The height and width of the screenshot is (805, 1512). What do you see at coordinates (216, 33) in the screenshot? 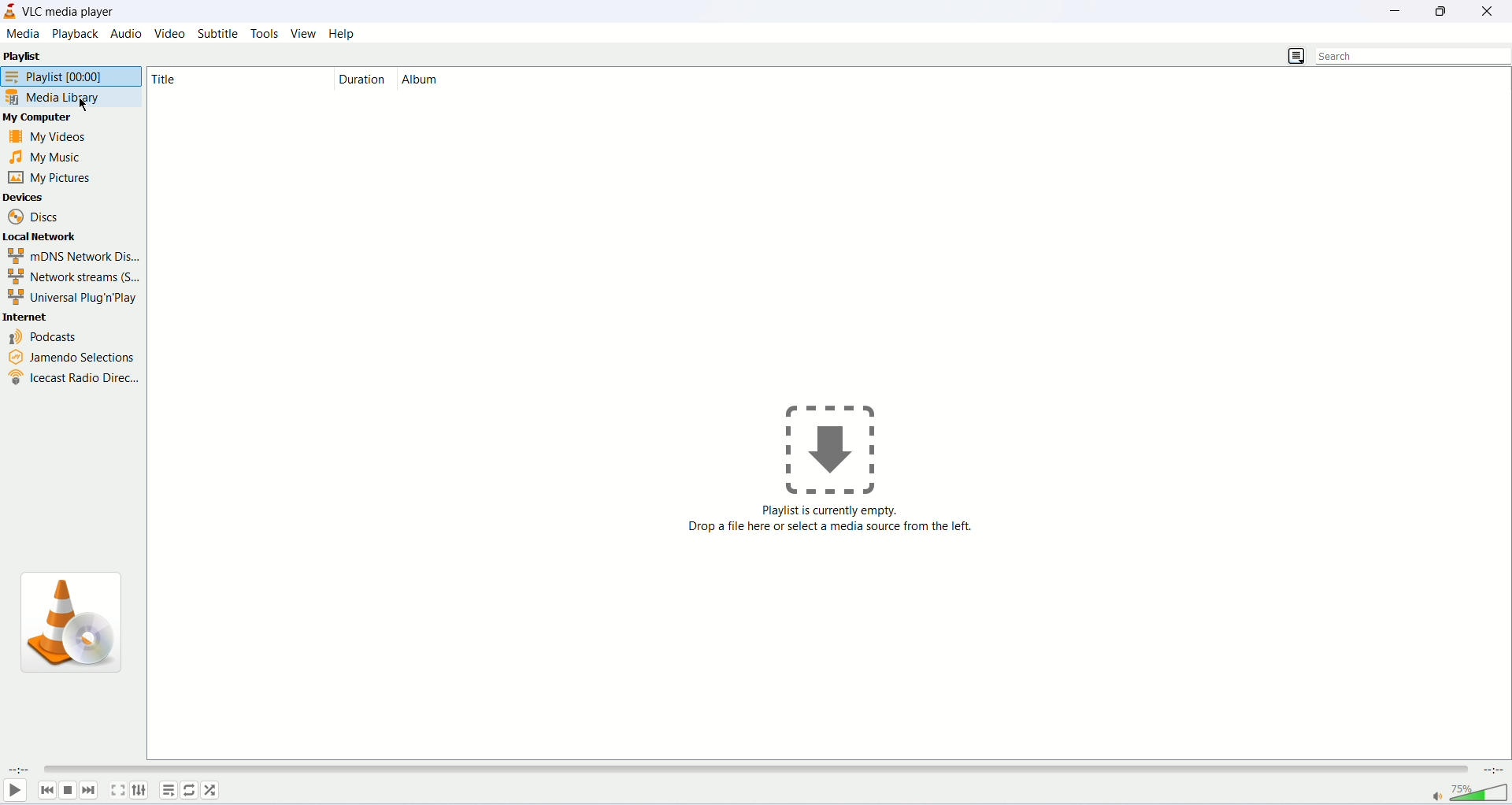
I see `subtitle` at bounding box center [216, 33].